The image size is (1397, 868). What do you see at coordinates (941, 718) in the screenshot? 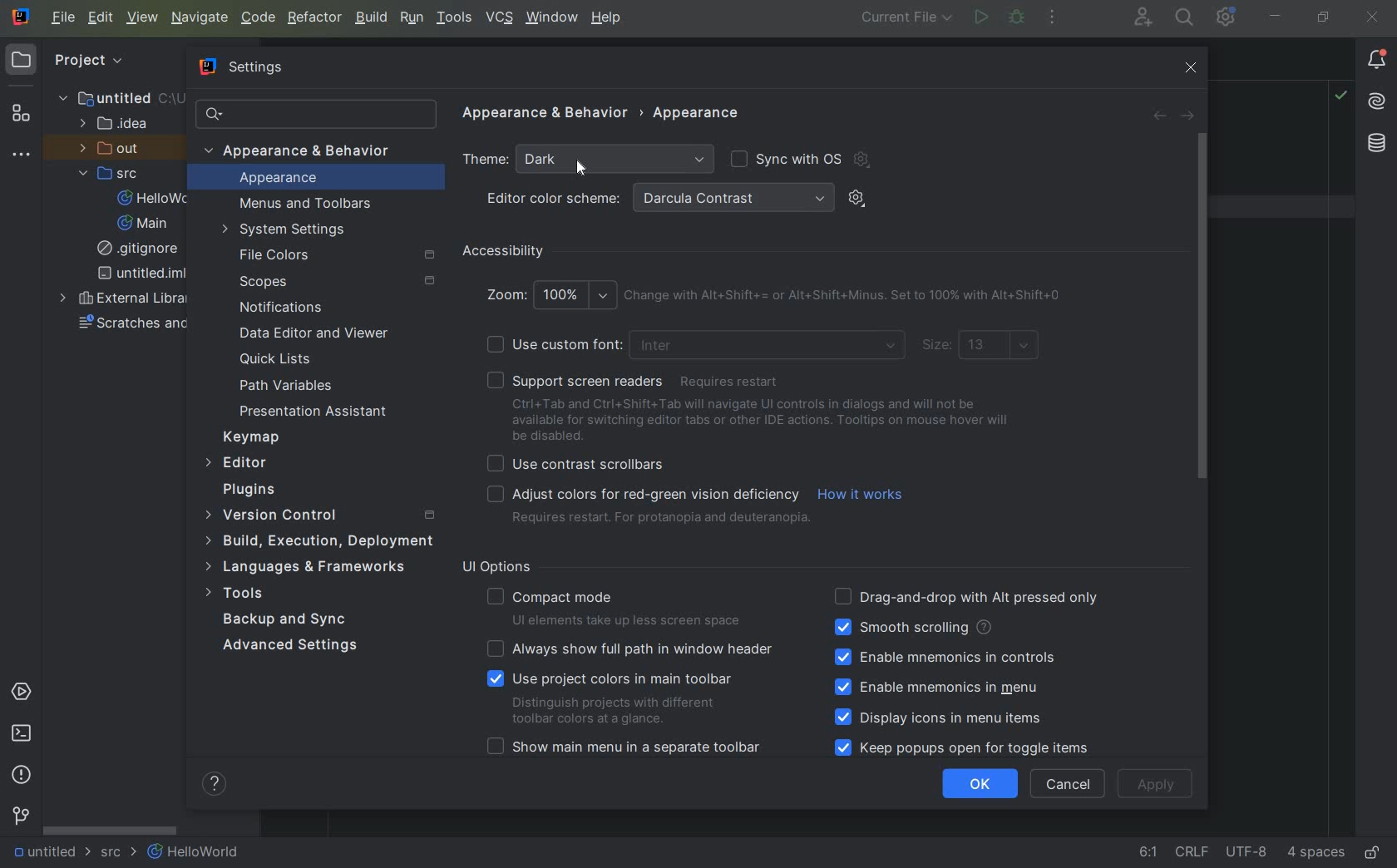
I see `display icons in menu items(checked)` at bounding box center [941, 718].